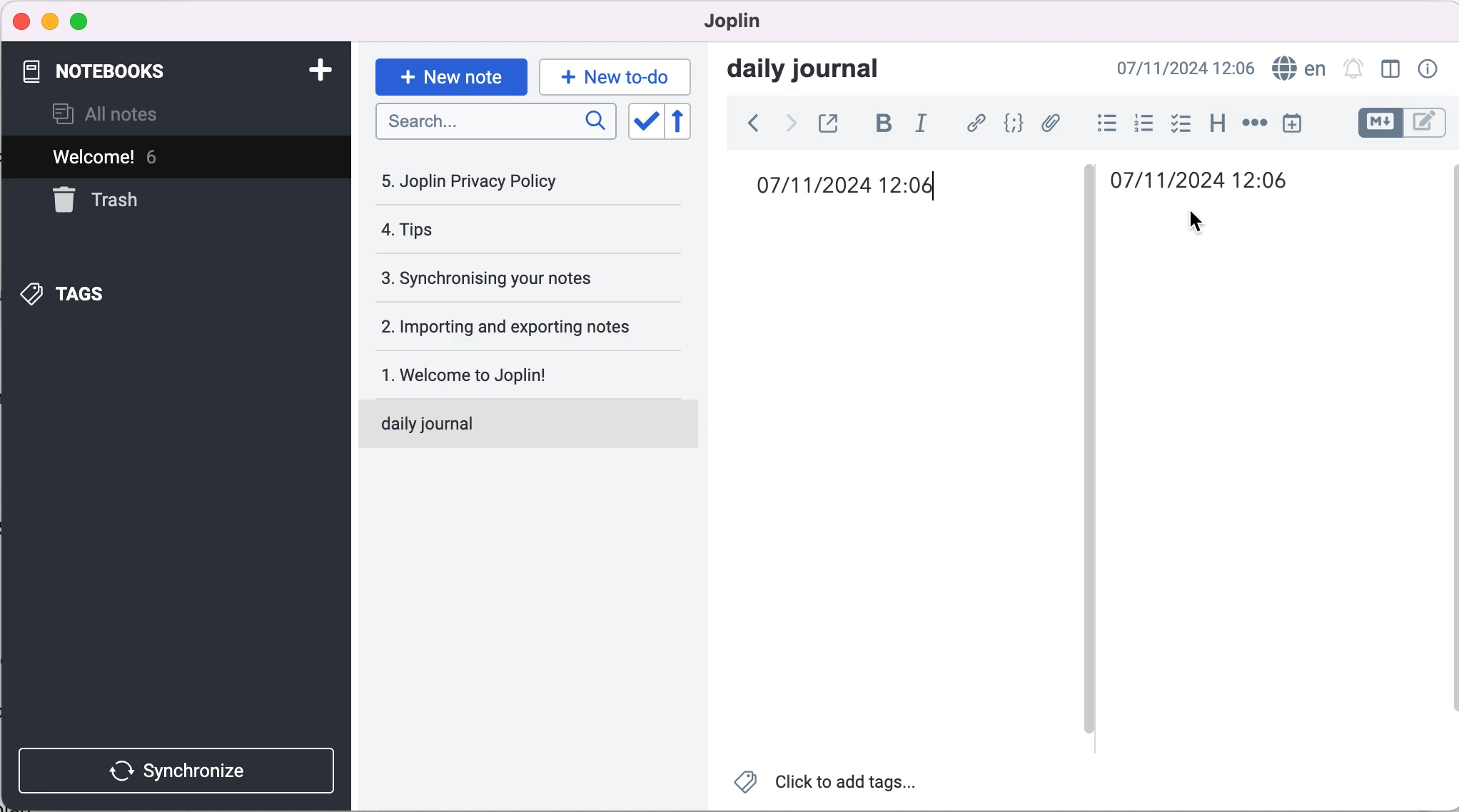 This screenshot has width=1459, height=812. I want to click on maximize, so click(83, 21).